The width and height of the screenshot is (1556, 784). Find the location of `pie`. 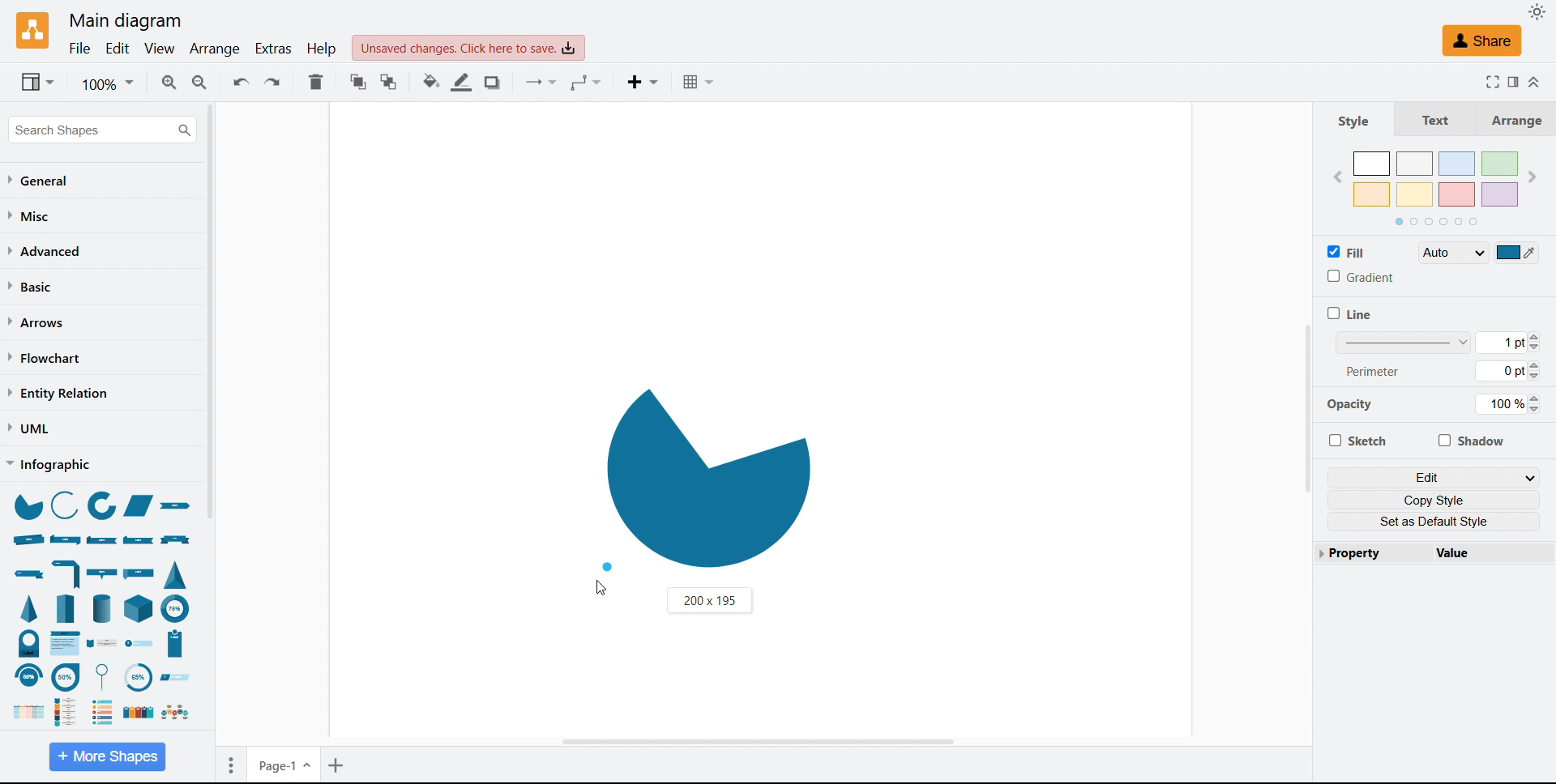

pie is located at coordinates (27, 505).